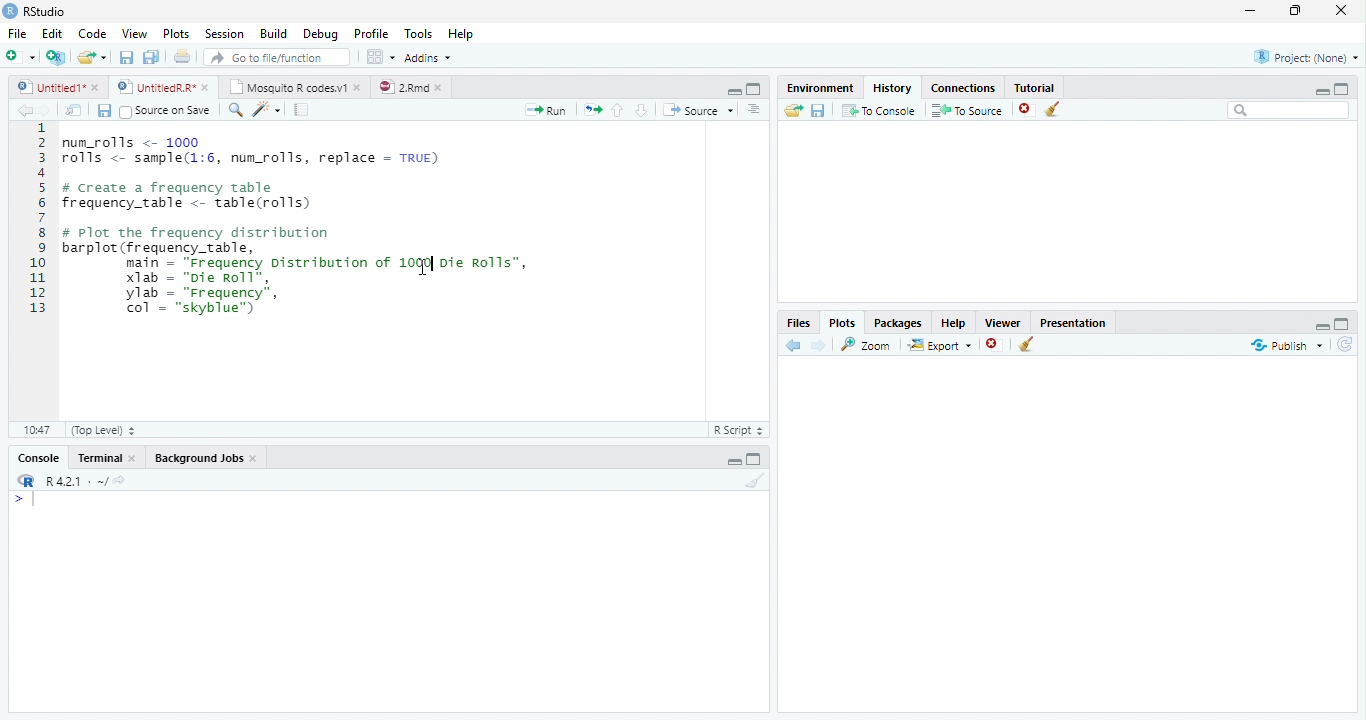  What do you see at coordinates (35, 11) in the screenshot?
I see `RStudio` at bounding box center [35, 11].